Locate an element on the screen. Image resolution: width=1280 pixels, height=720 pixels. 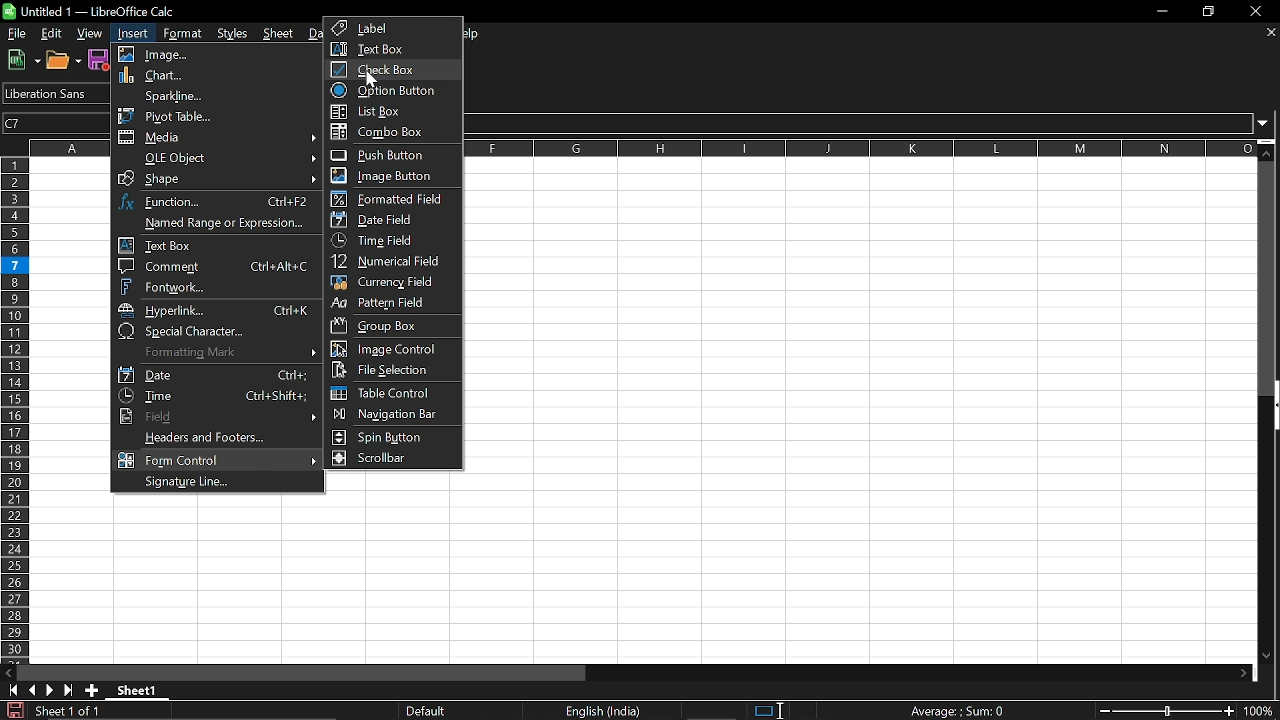
Pattern field is located at coordinates (393, 304).